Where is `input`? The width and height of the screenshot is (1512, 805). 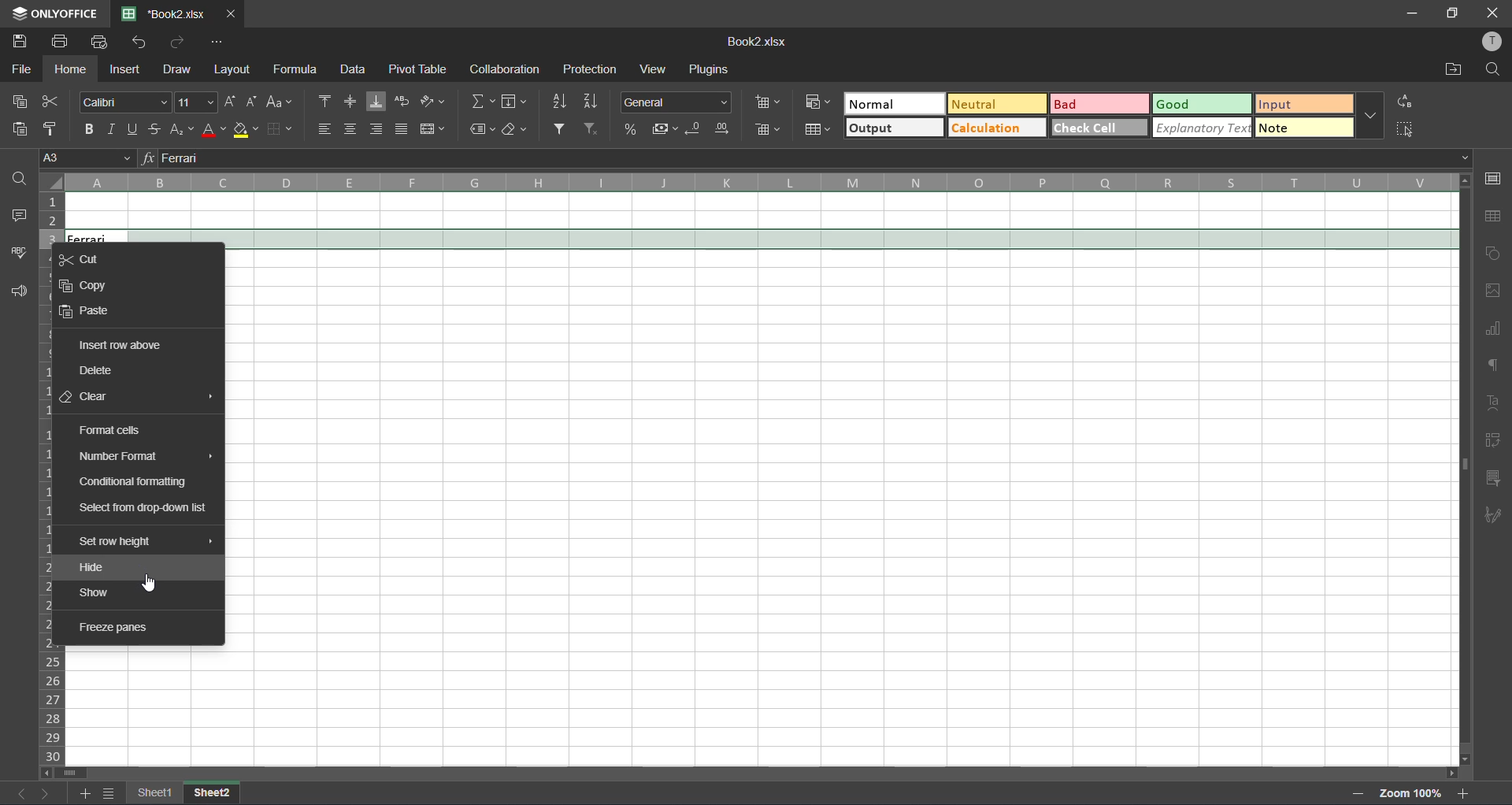
input is located at coordinates (1298, 103).